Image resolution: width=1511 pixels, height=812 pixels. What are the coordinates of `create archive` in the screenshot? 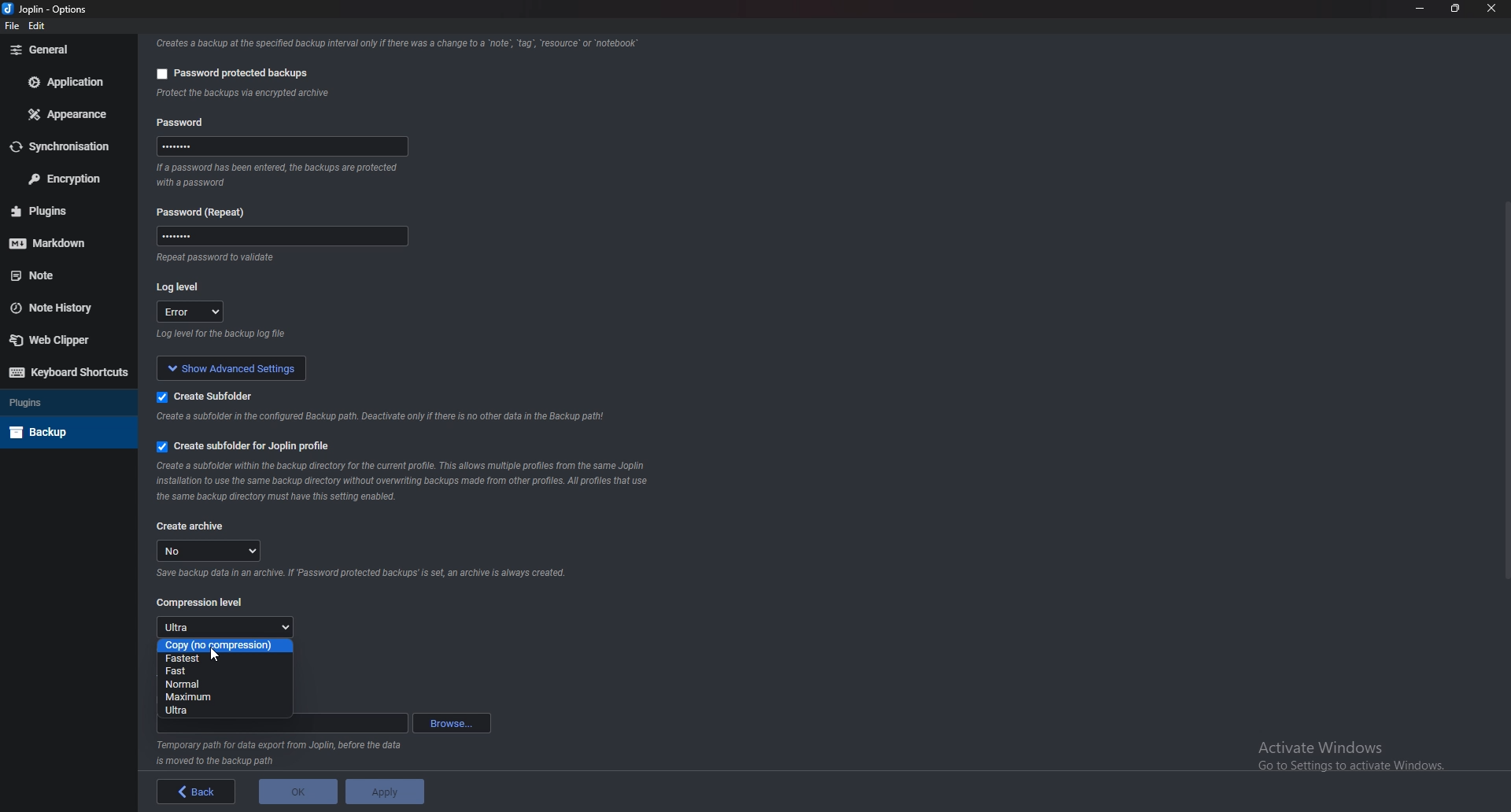 It's located at (192, 525).